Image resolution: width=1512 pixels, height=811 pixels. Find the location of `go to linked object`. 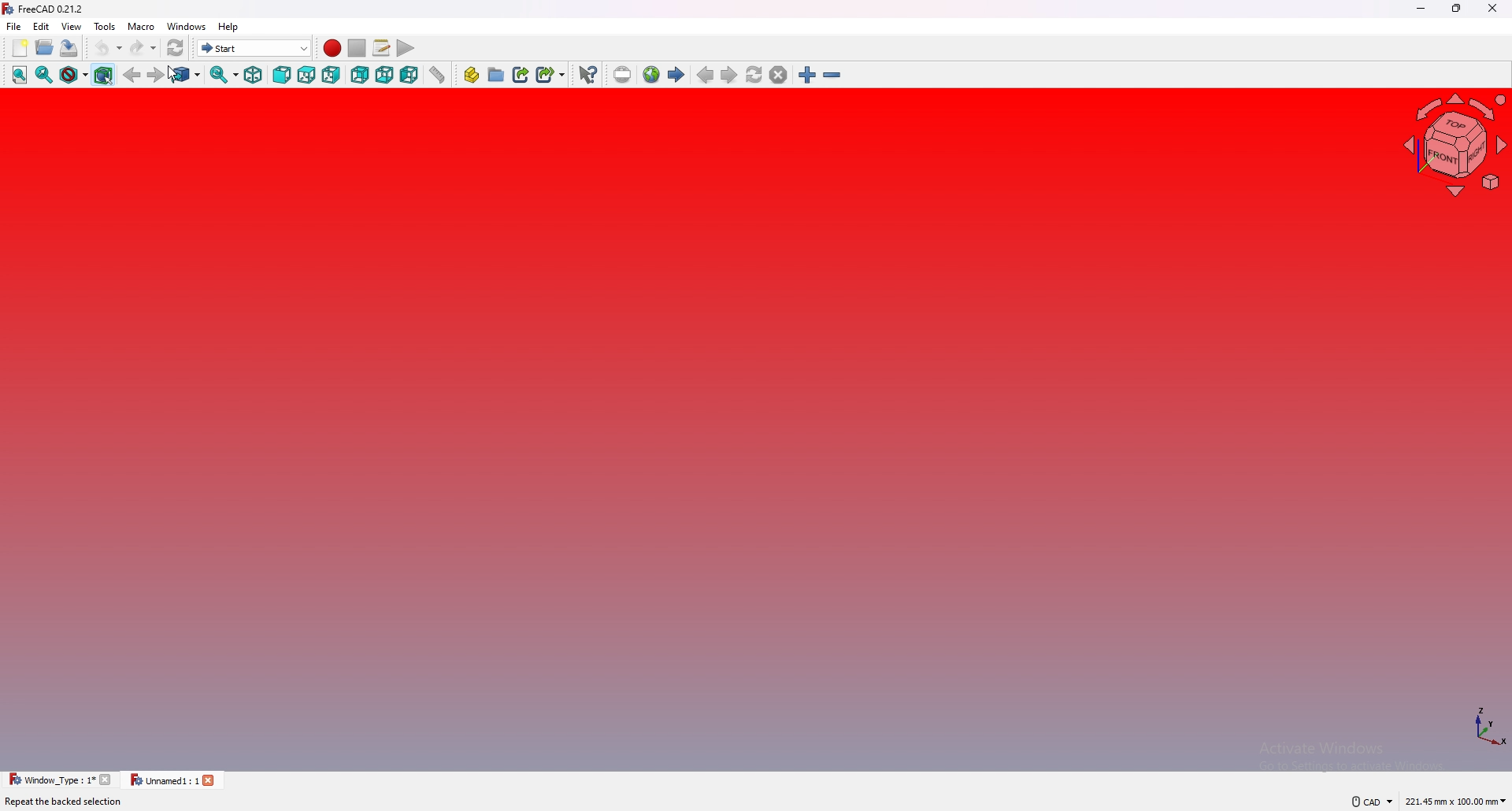

go to linked object is located at coordinates (187, 74).